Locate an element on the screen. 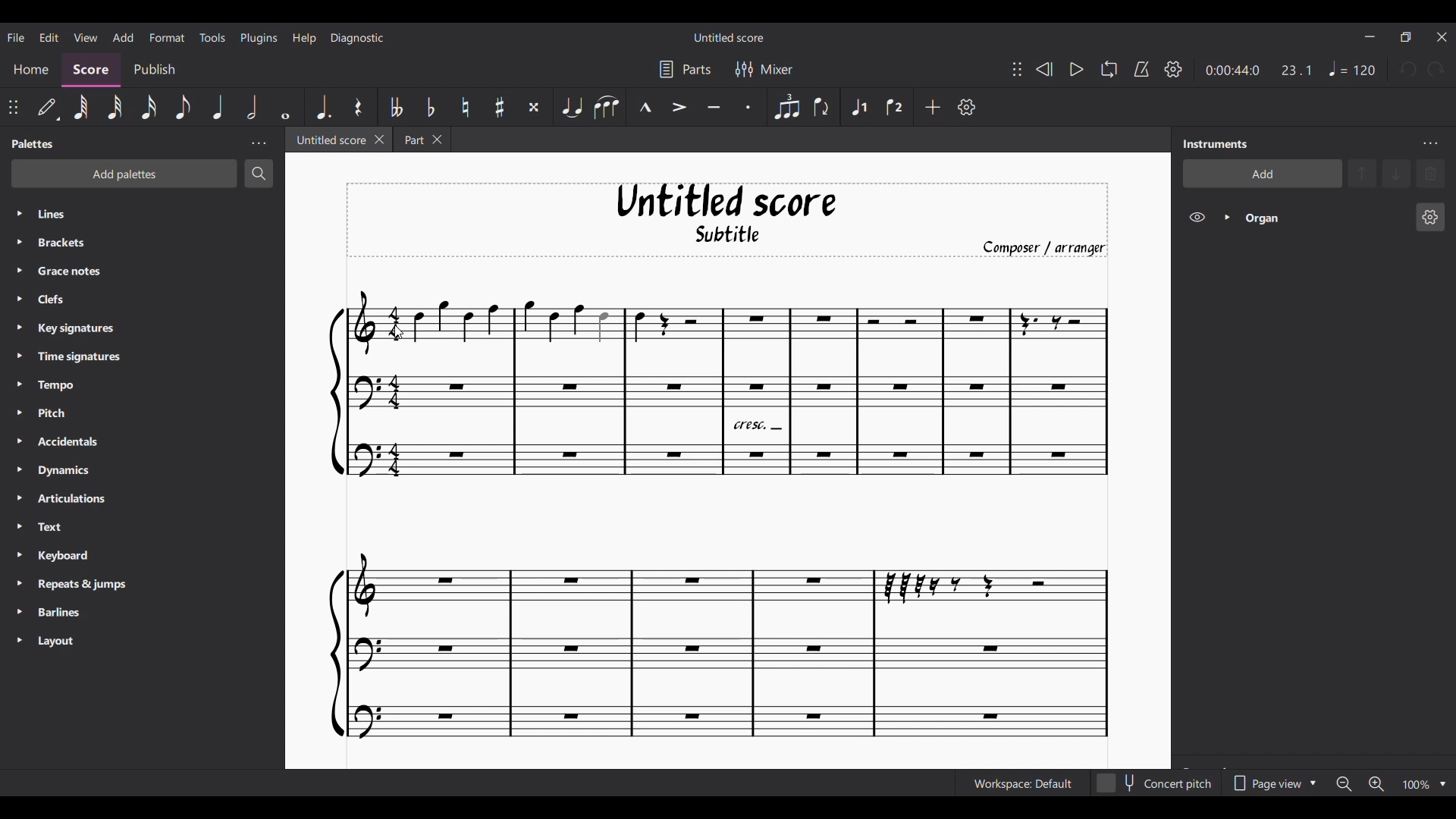 This screenshot has width=1456, height=819. Publish section is located at coordinates (154, 70).